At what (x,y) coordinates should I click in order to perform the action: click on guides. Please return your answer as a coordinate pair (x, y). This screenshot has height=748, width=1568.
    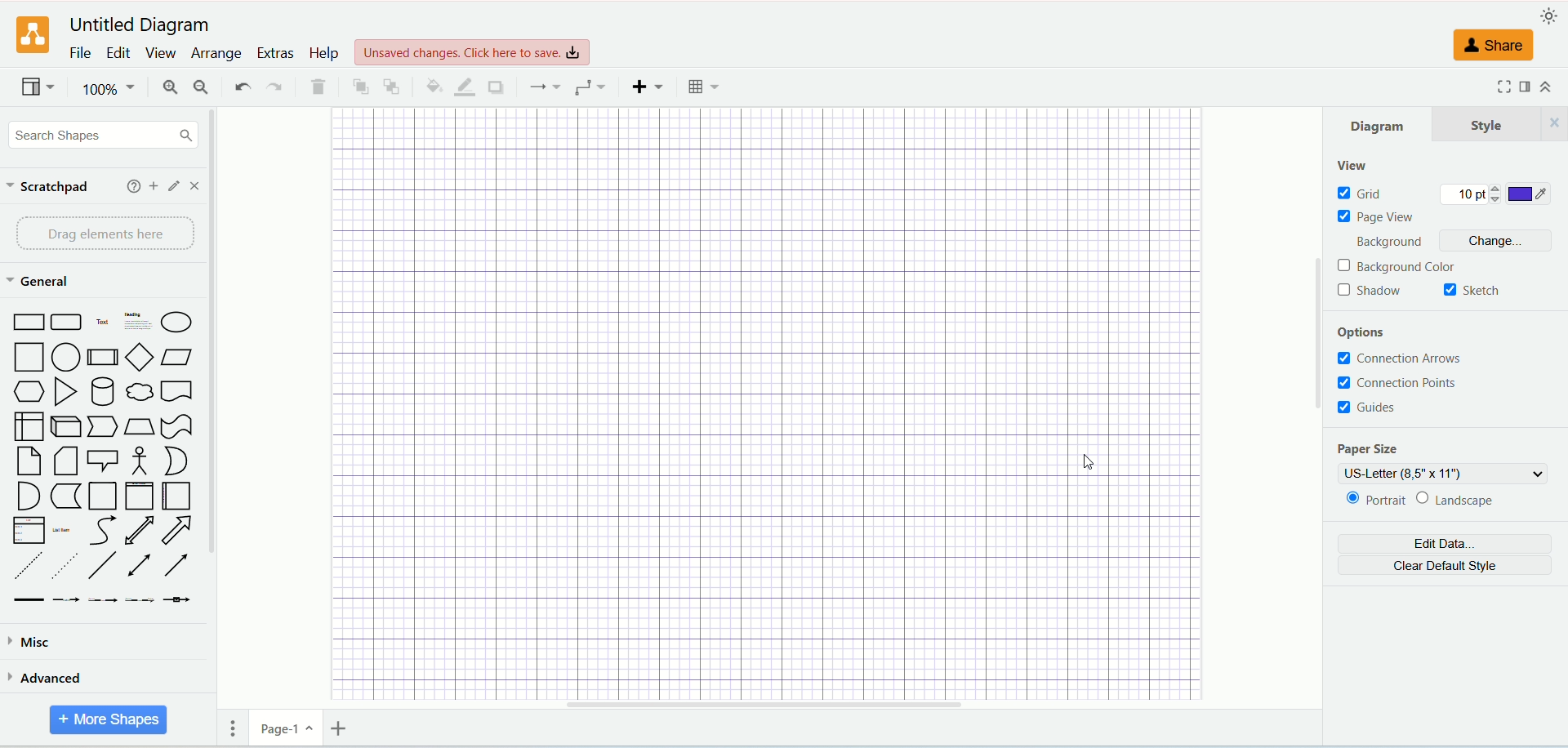
    Looking at the image, I should click on (1365, 407).